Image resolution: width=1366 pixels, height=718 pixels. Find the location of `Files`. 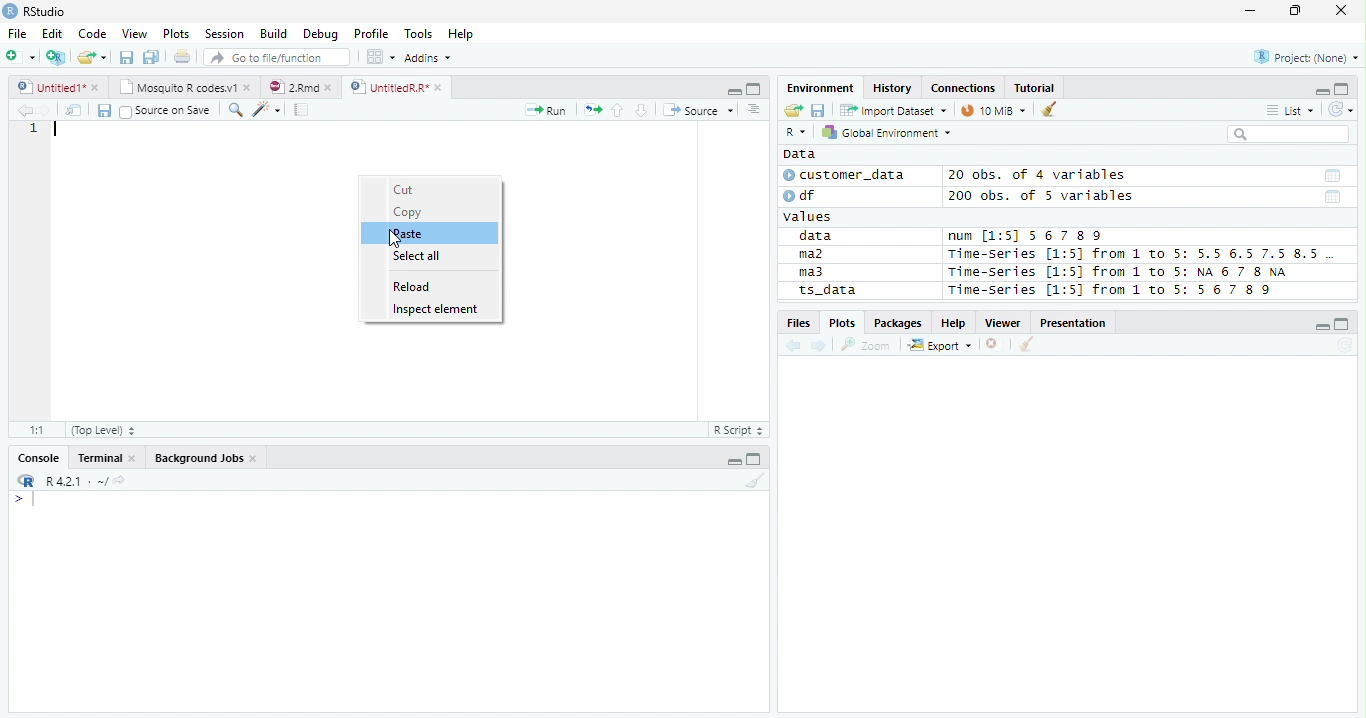

Files is located at coordinates (798, 323).